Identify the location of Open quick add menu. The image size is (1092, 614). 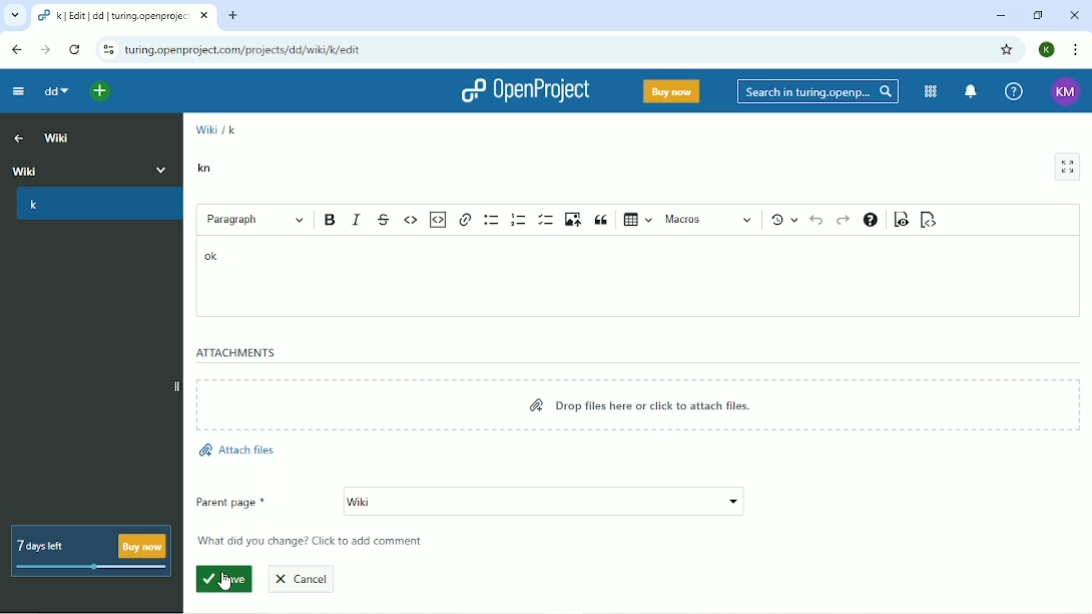
(101, 90).